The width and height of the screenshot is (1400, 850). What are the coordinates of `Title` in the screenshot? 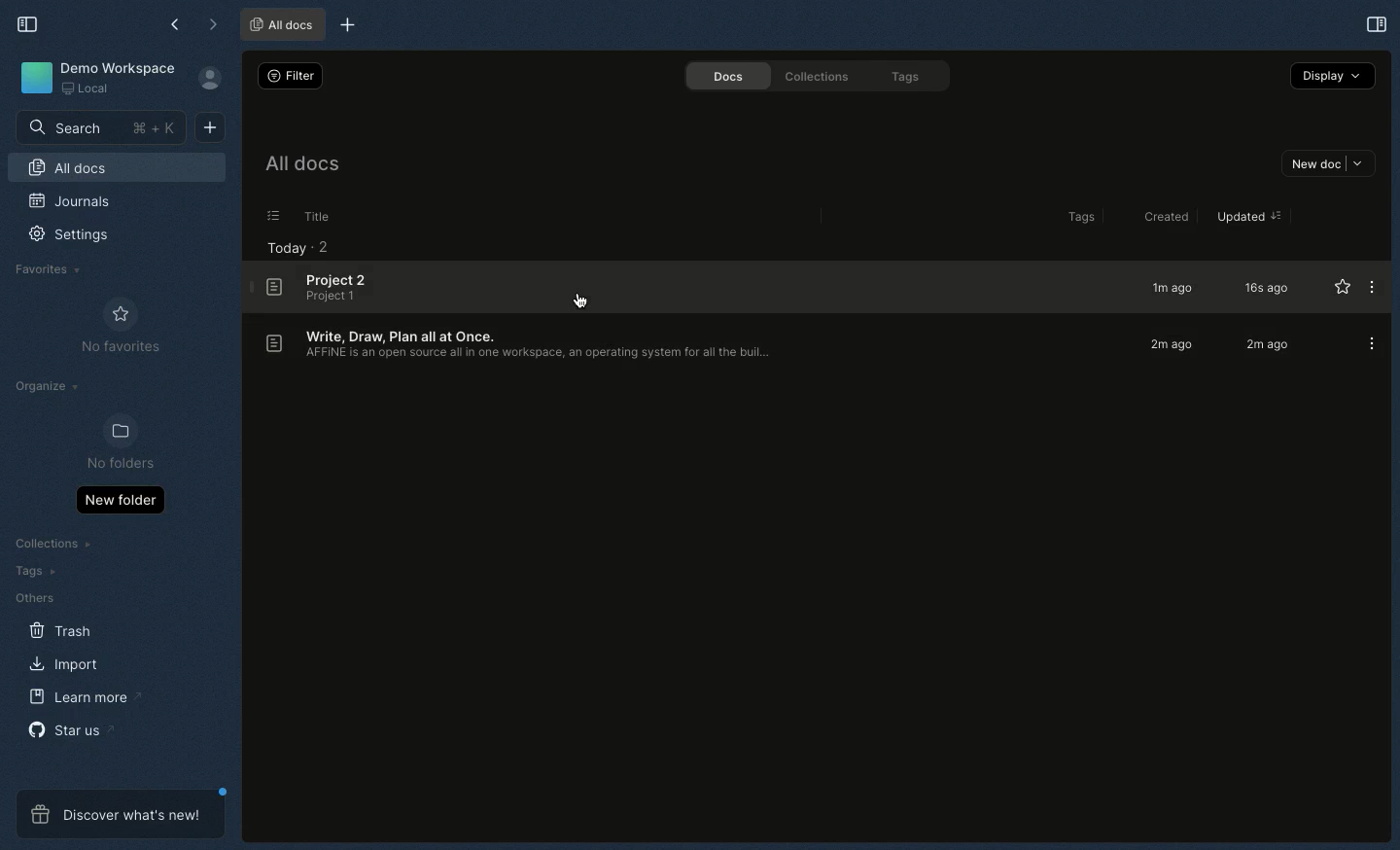 It's located at (341, 279).